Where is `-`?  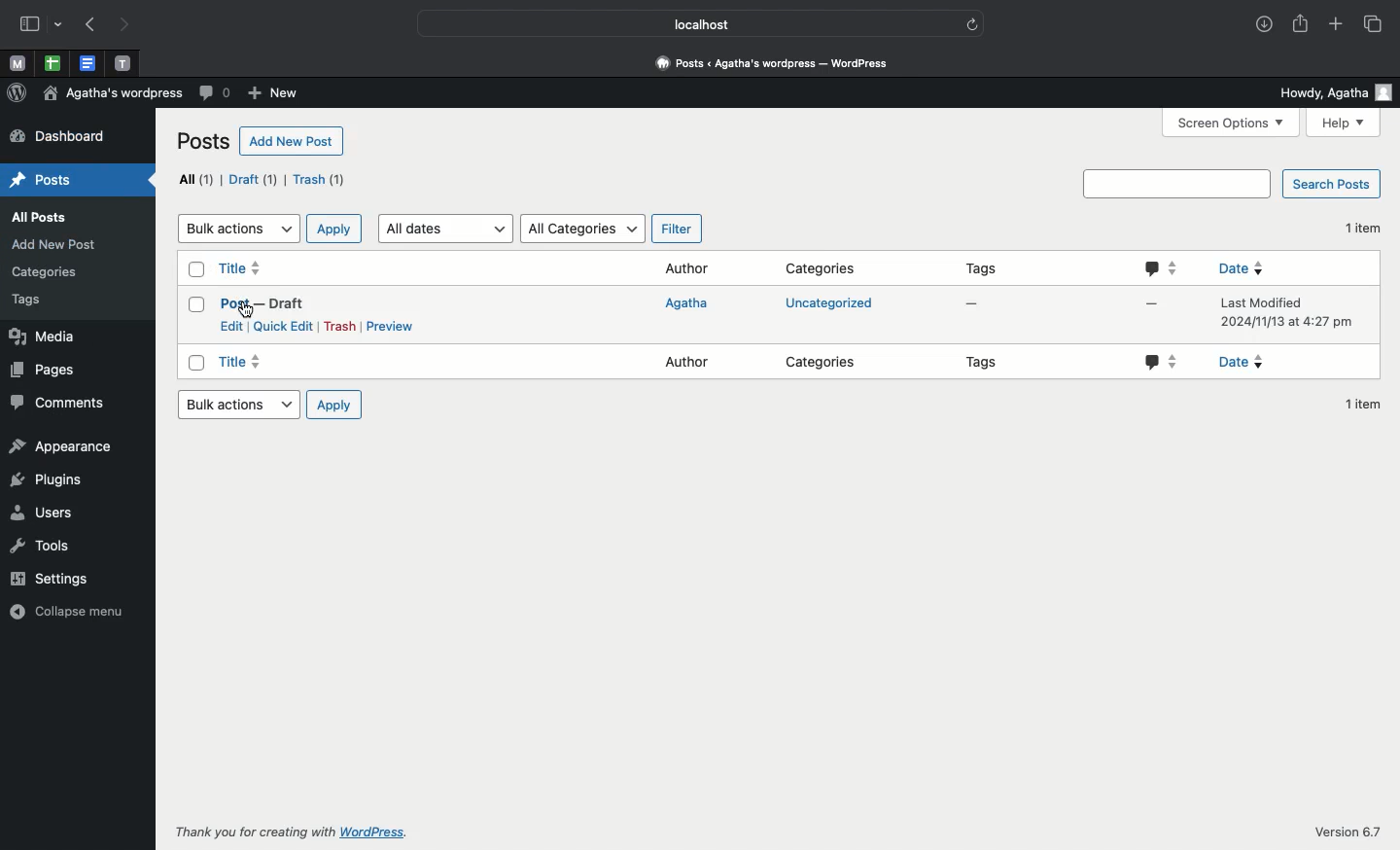
- is located at coordinates (971, 305).